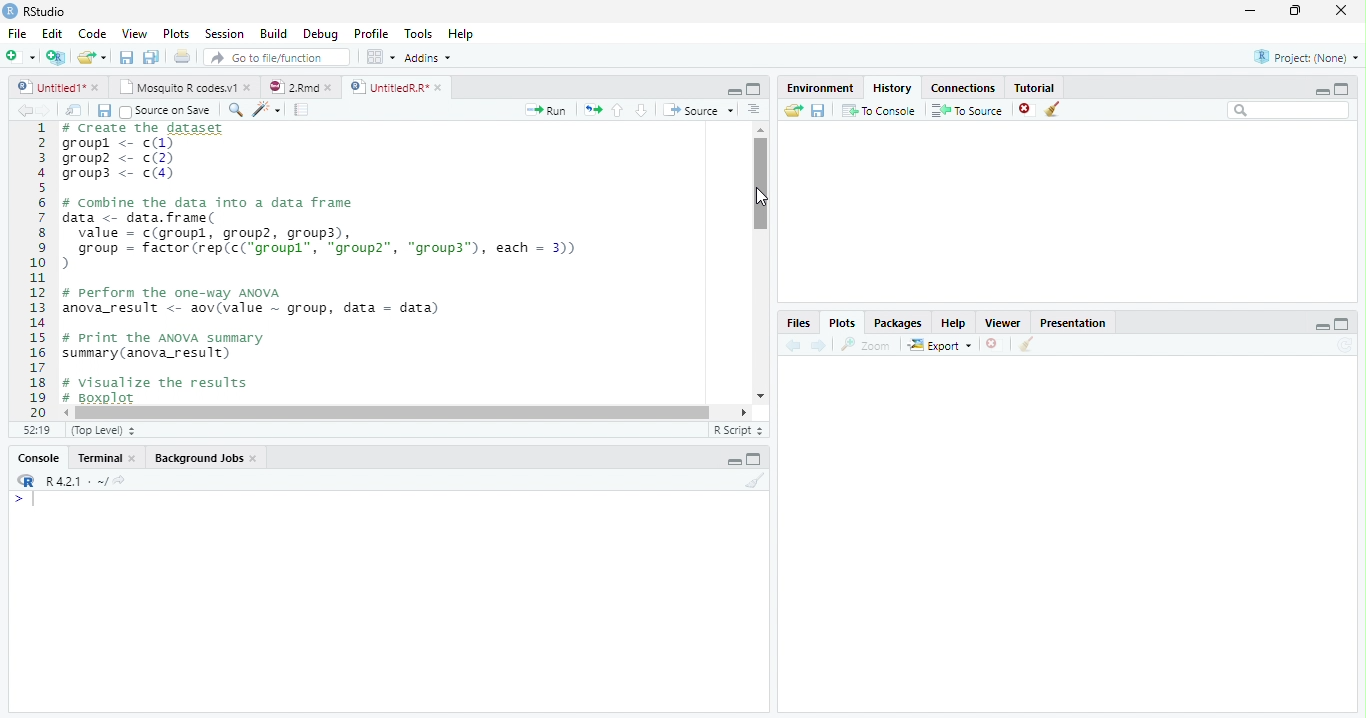  I want to click on To source, so click(970, 112).